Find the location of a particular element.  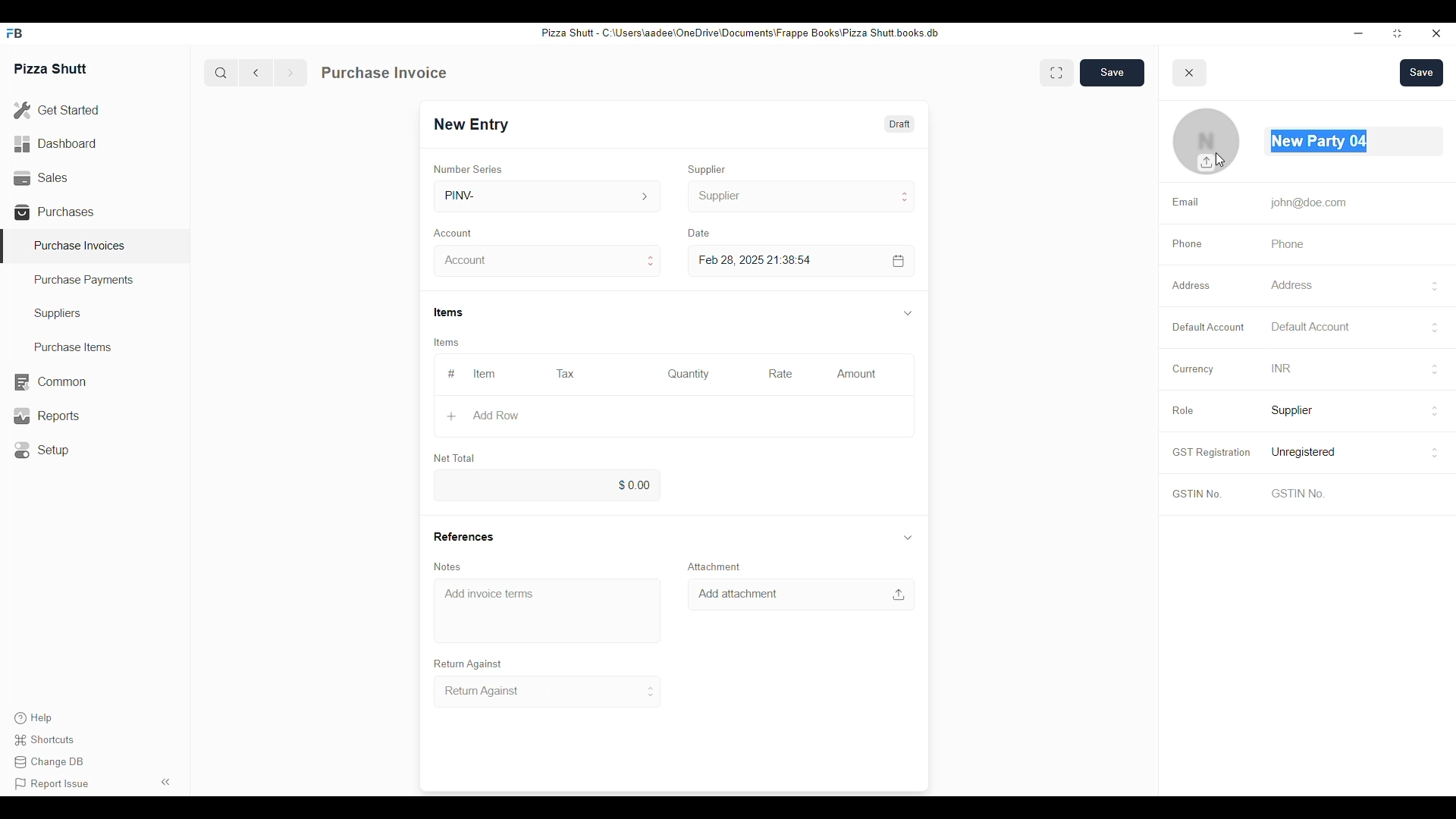

Role is located at coordinates (1182, 410).